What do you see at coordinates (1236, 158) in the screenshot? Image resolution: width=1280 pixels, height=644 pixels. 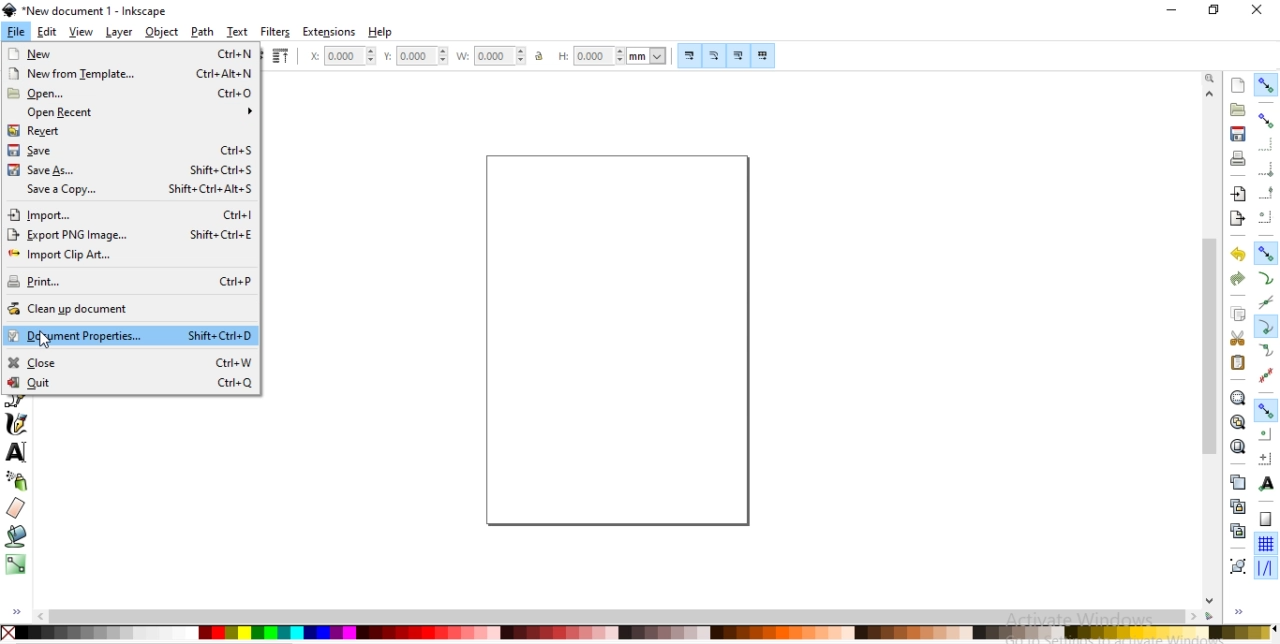 I see `print document` at bounding box center [1236, 158].